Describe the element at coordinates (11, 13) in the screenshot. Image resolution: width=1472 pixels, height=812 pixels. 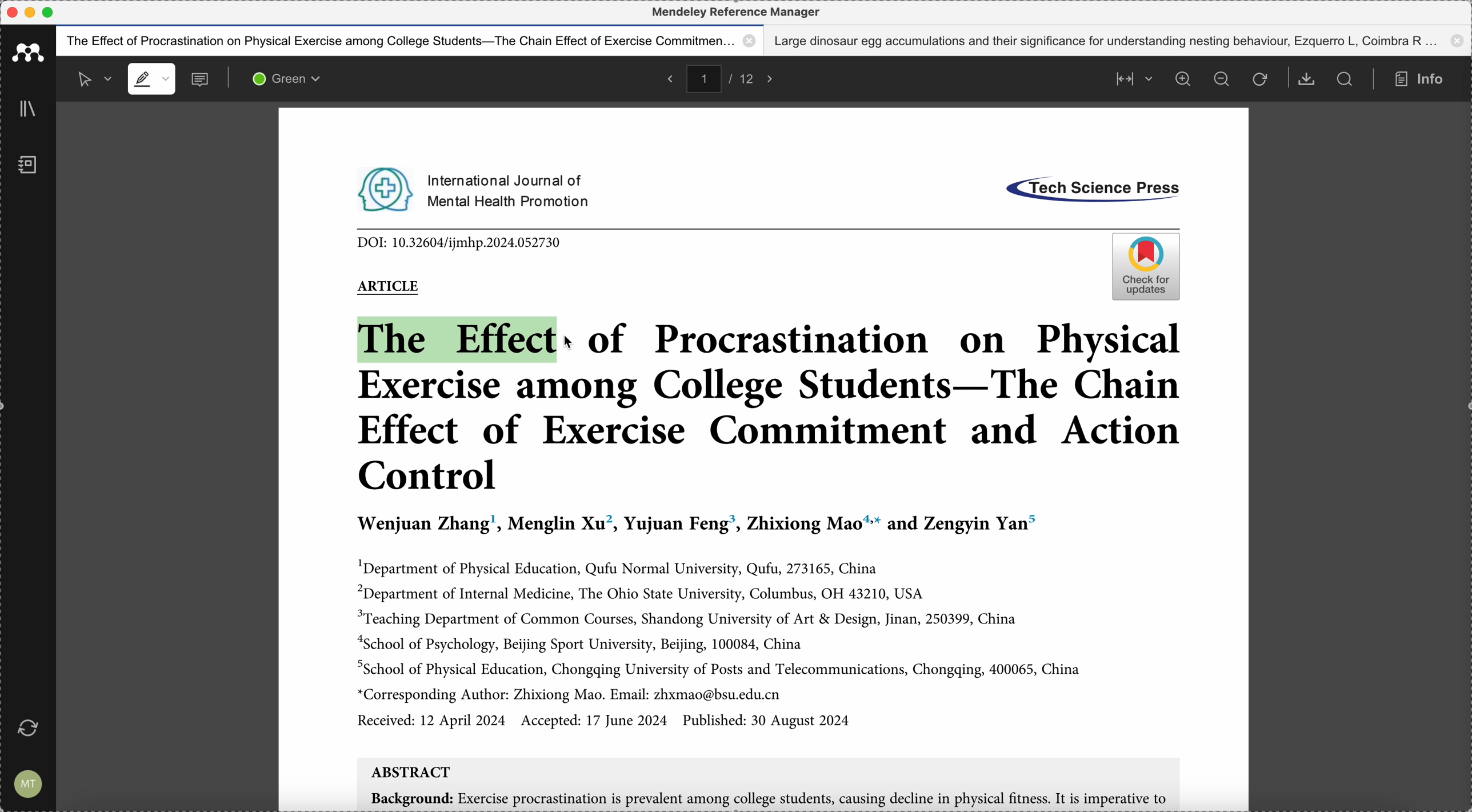
I see `close program` at that location.